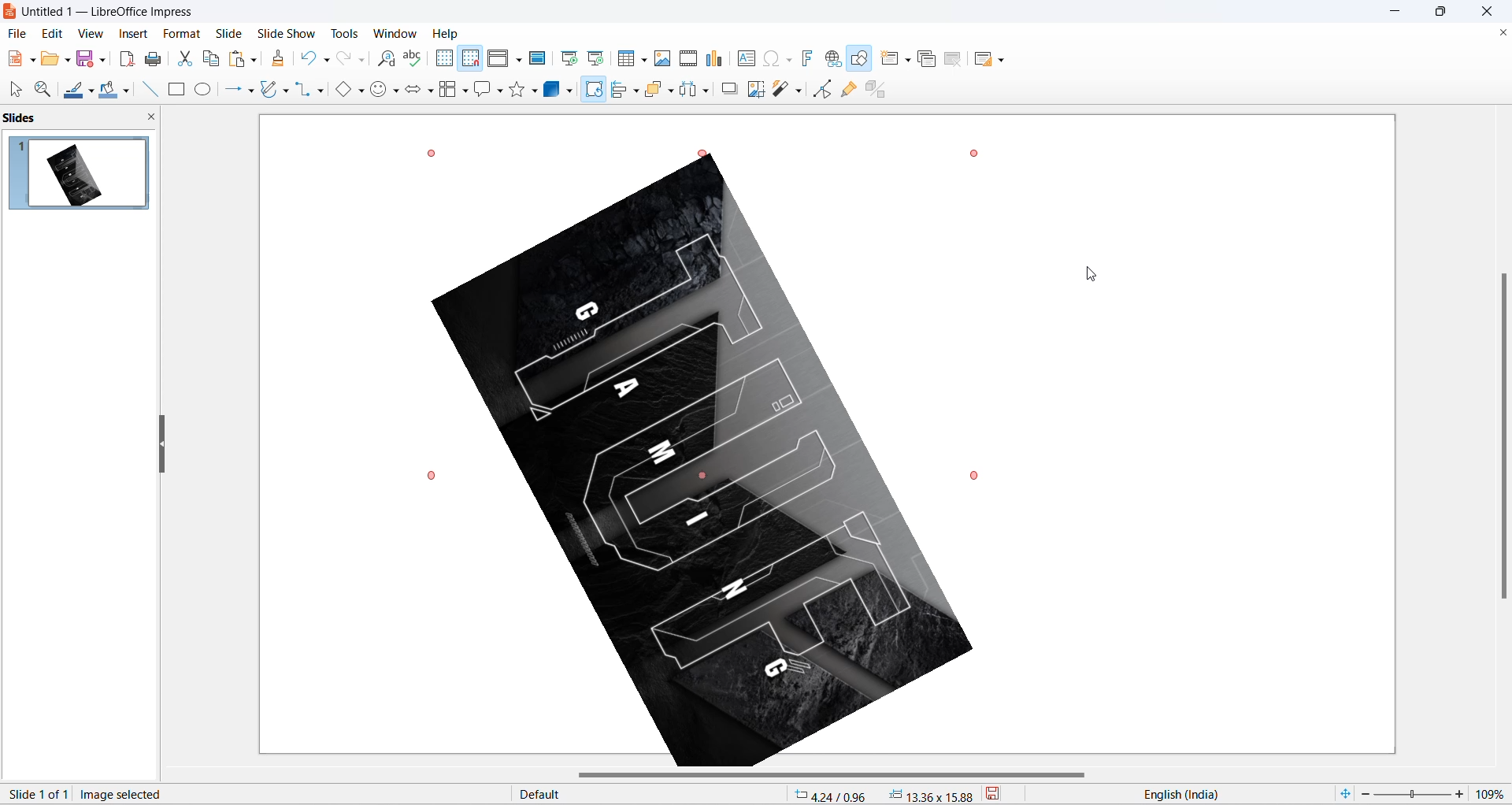  I want to click on master slide, so click(539, 57).